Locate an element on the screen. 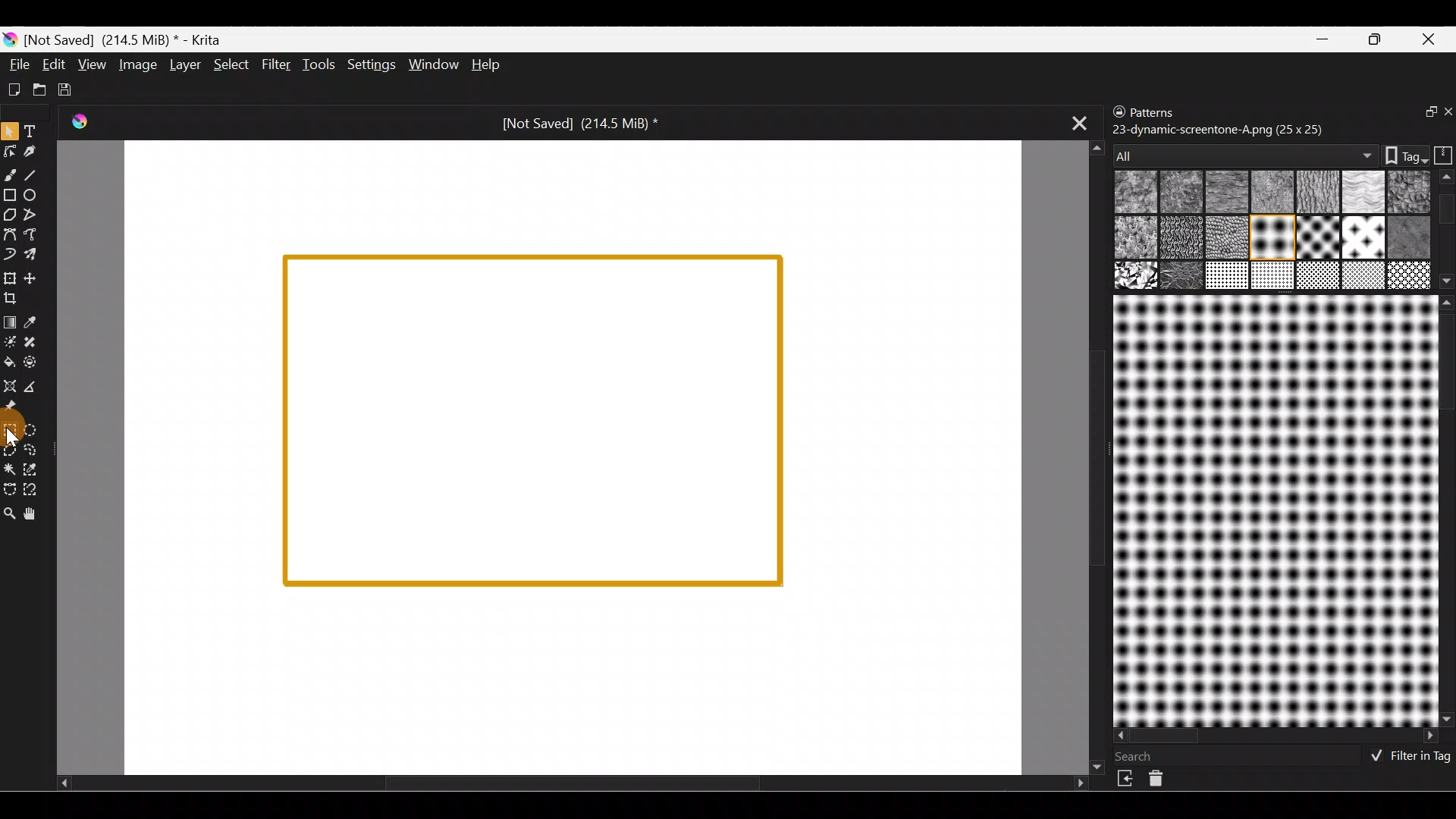  02 rough-canvas.png is located at coordinates (1183, 191).